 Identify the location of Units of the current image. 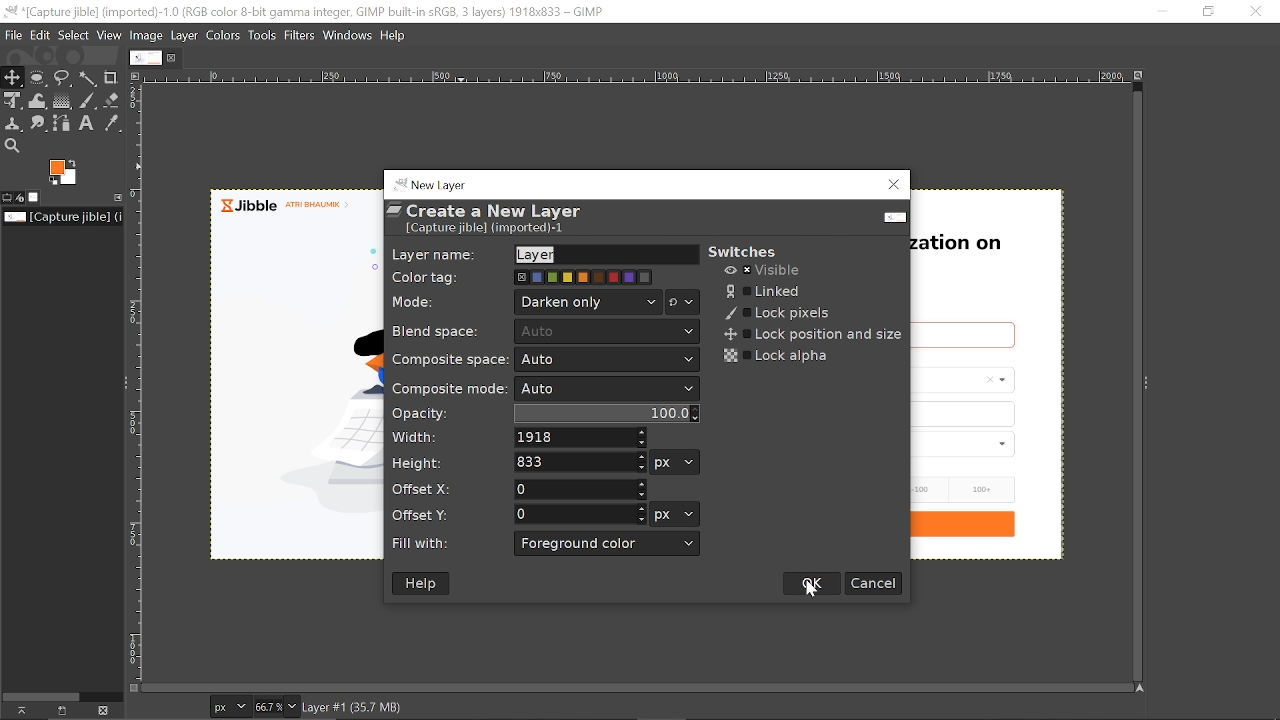
(229, 707).